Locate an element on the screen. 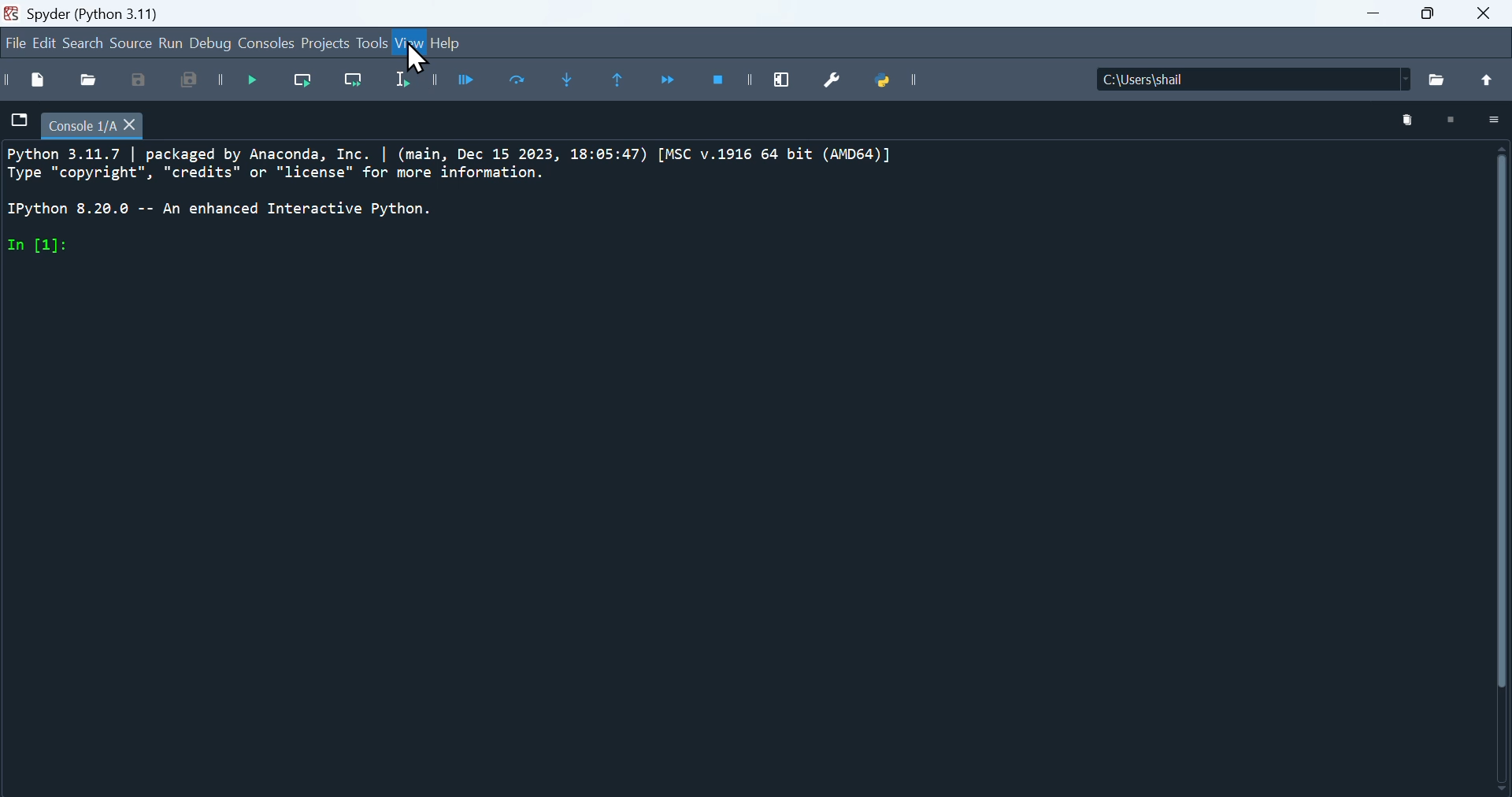  Run is located at coordinates (173, 45).